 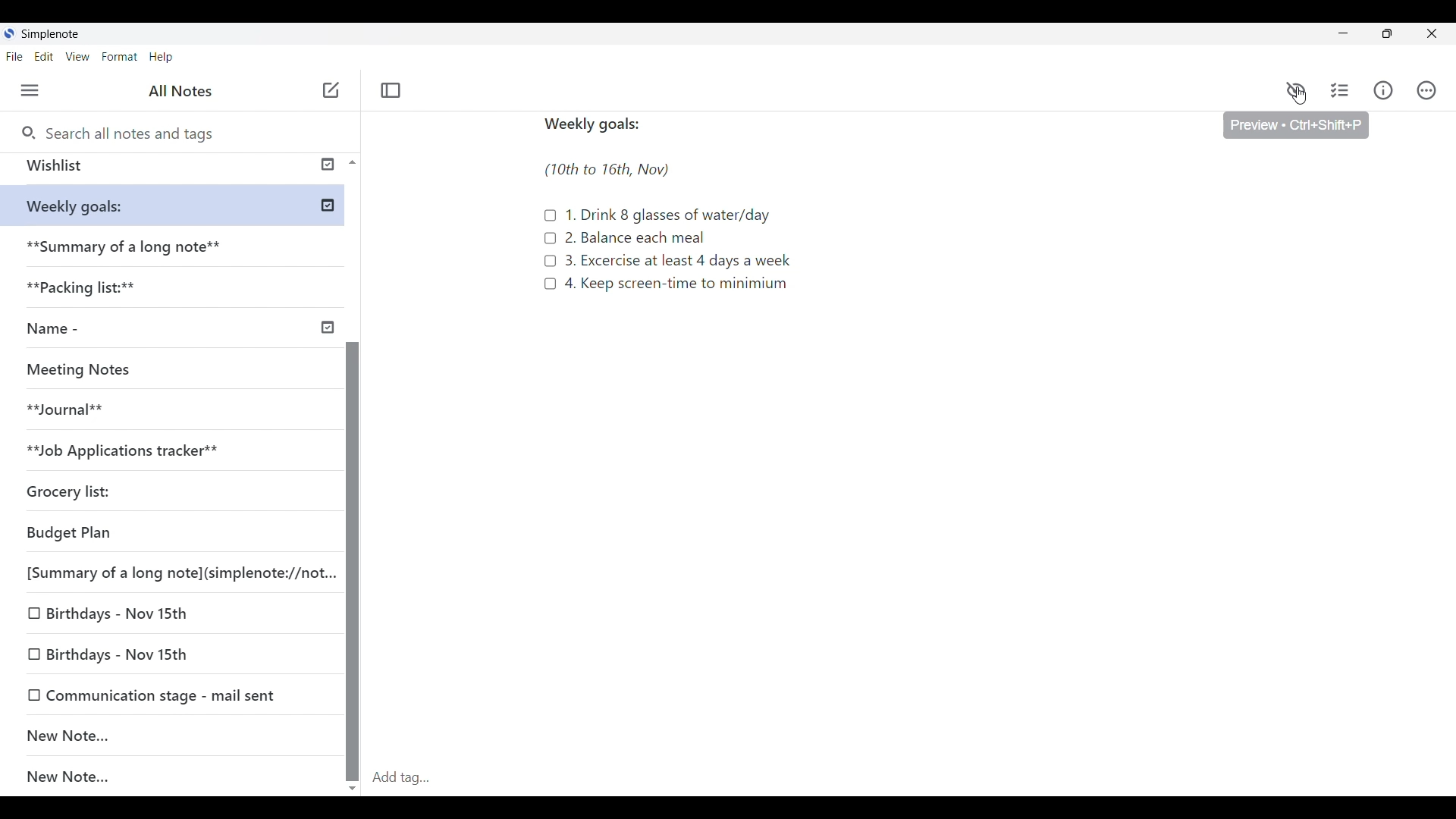 What do you see at coordinates (1295, 126) in the screenshot?
I see `Preview • Ctrl+Shift+p` at bounding box center [1295, 126].